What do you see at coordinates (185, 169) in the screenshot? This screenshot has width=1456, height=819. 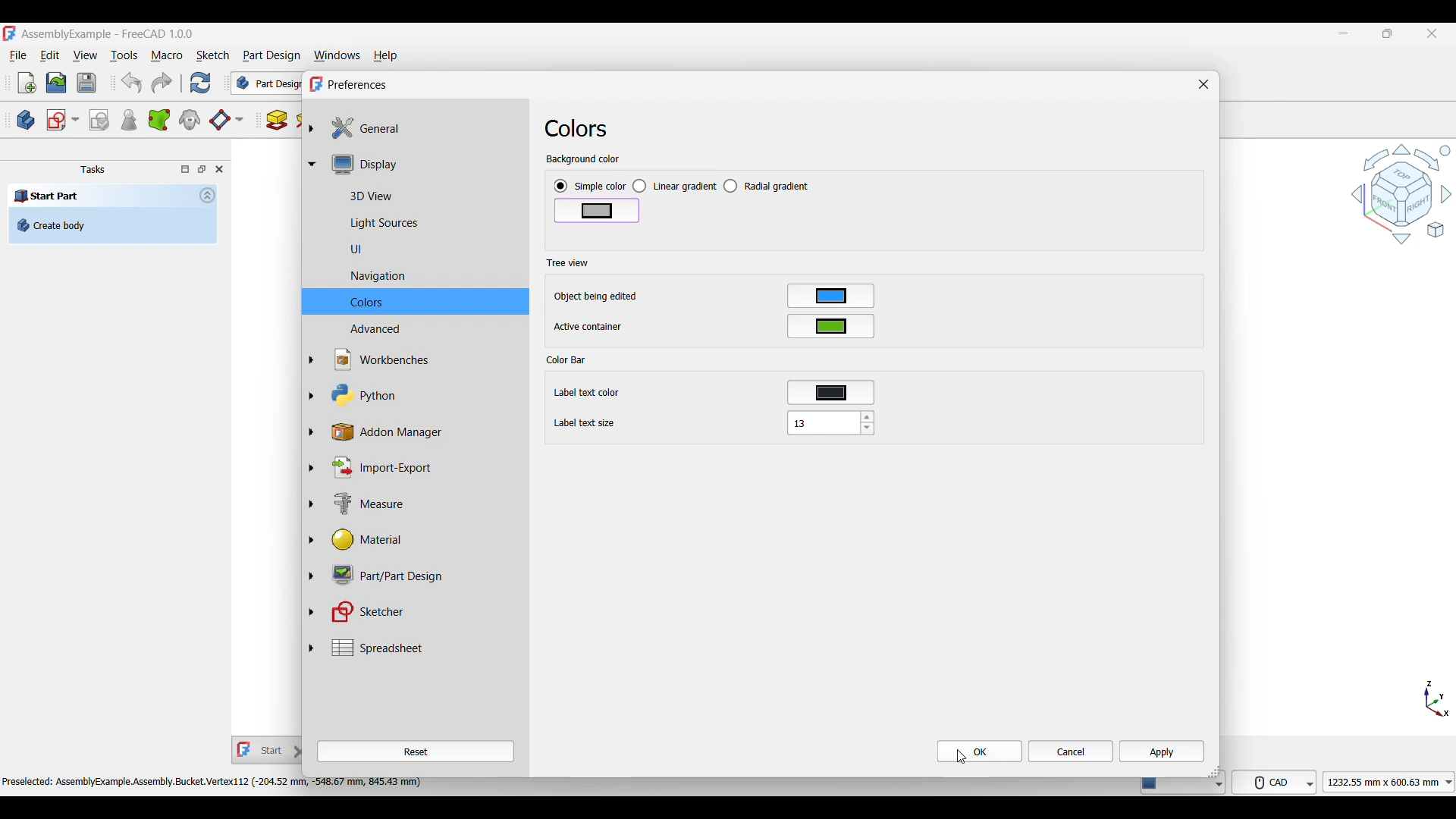 I see `Toggle overlay` at bounding box center [185, 169].